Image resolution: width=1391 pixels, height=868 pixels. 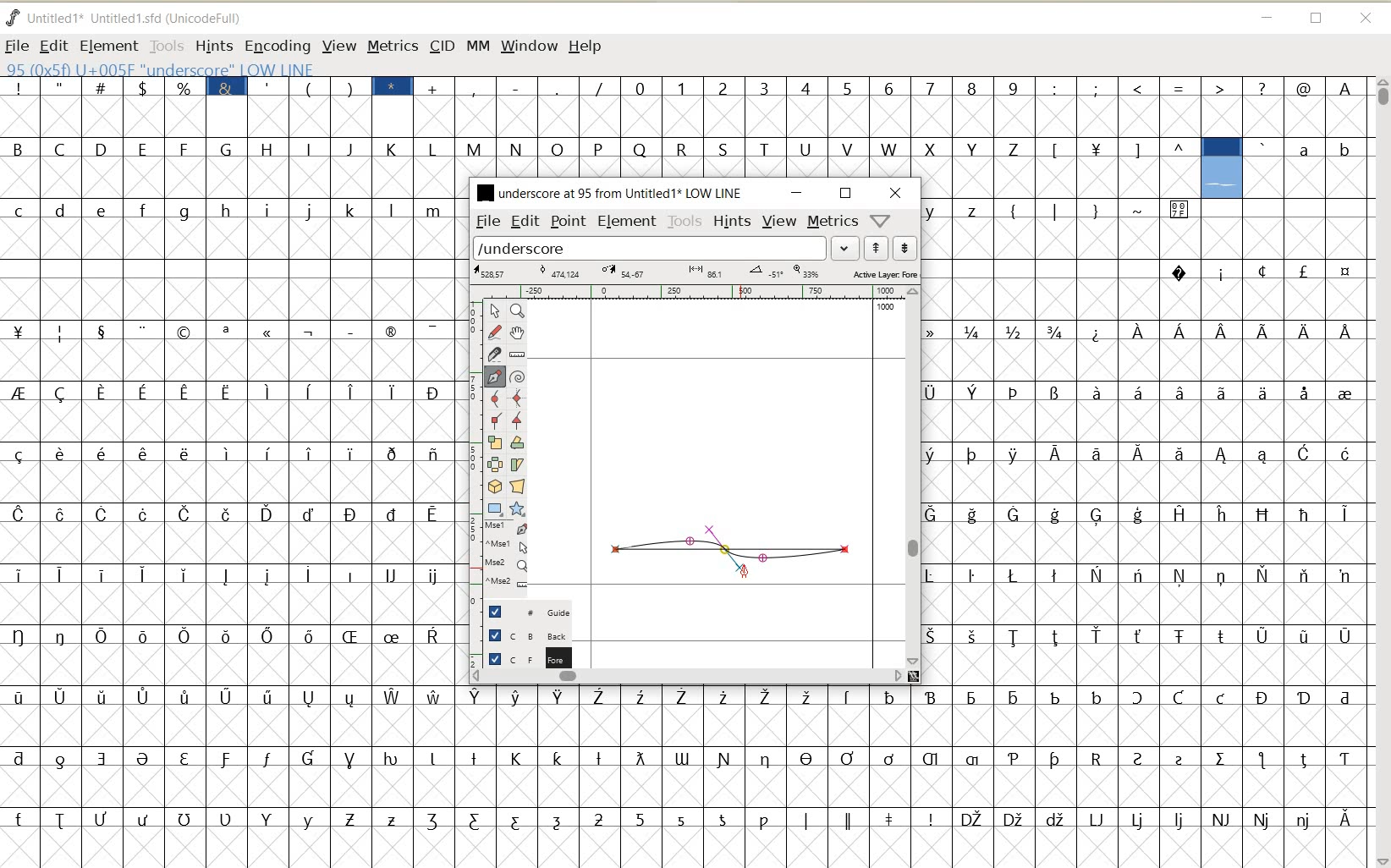 What do you see at coordinates (1381, 472) in the screenshot?
I see `SCROLLBAR` at bounding box center [1381, 472].